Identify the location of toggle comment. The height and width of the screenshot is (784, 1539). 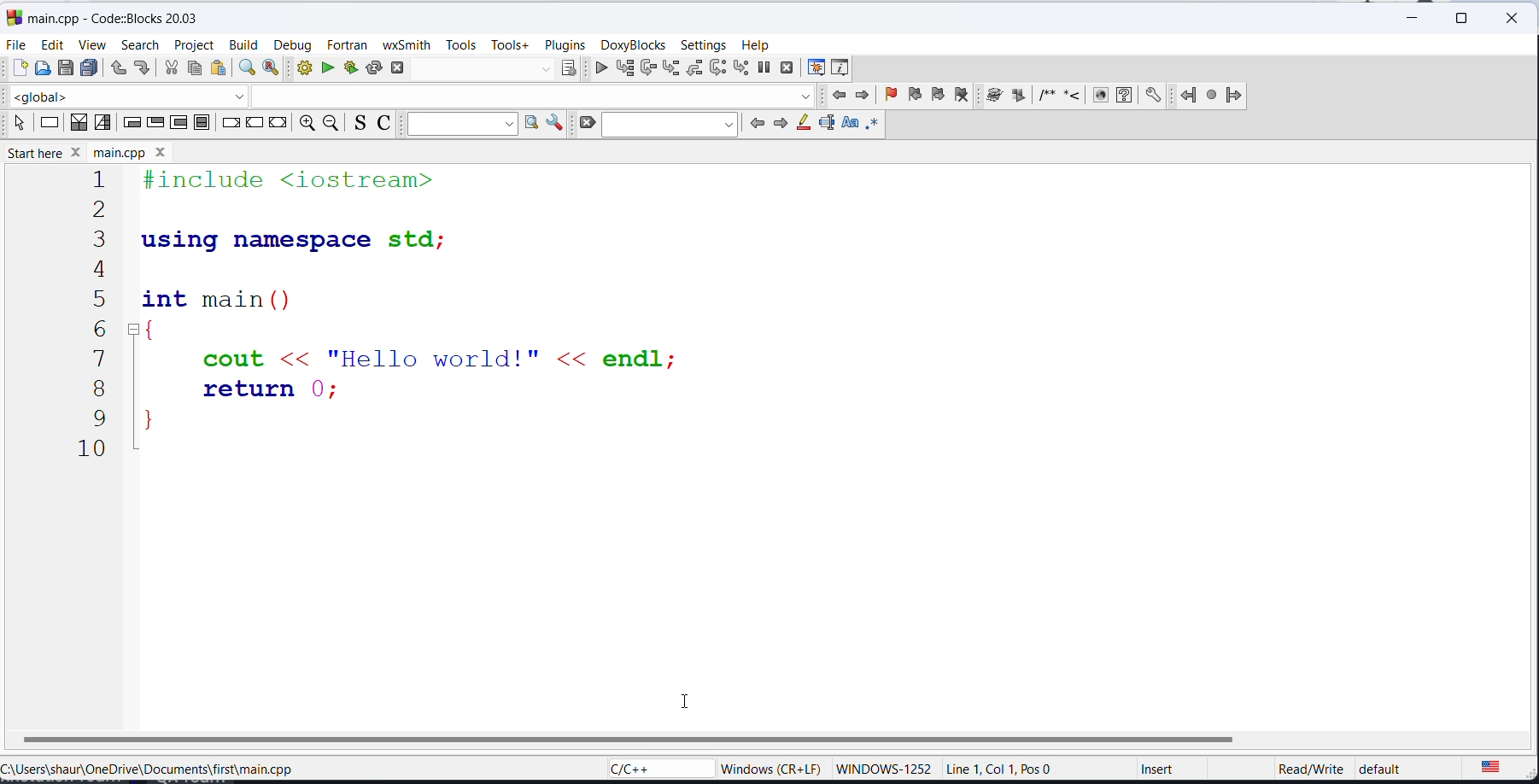
(383, 125).